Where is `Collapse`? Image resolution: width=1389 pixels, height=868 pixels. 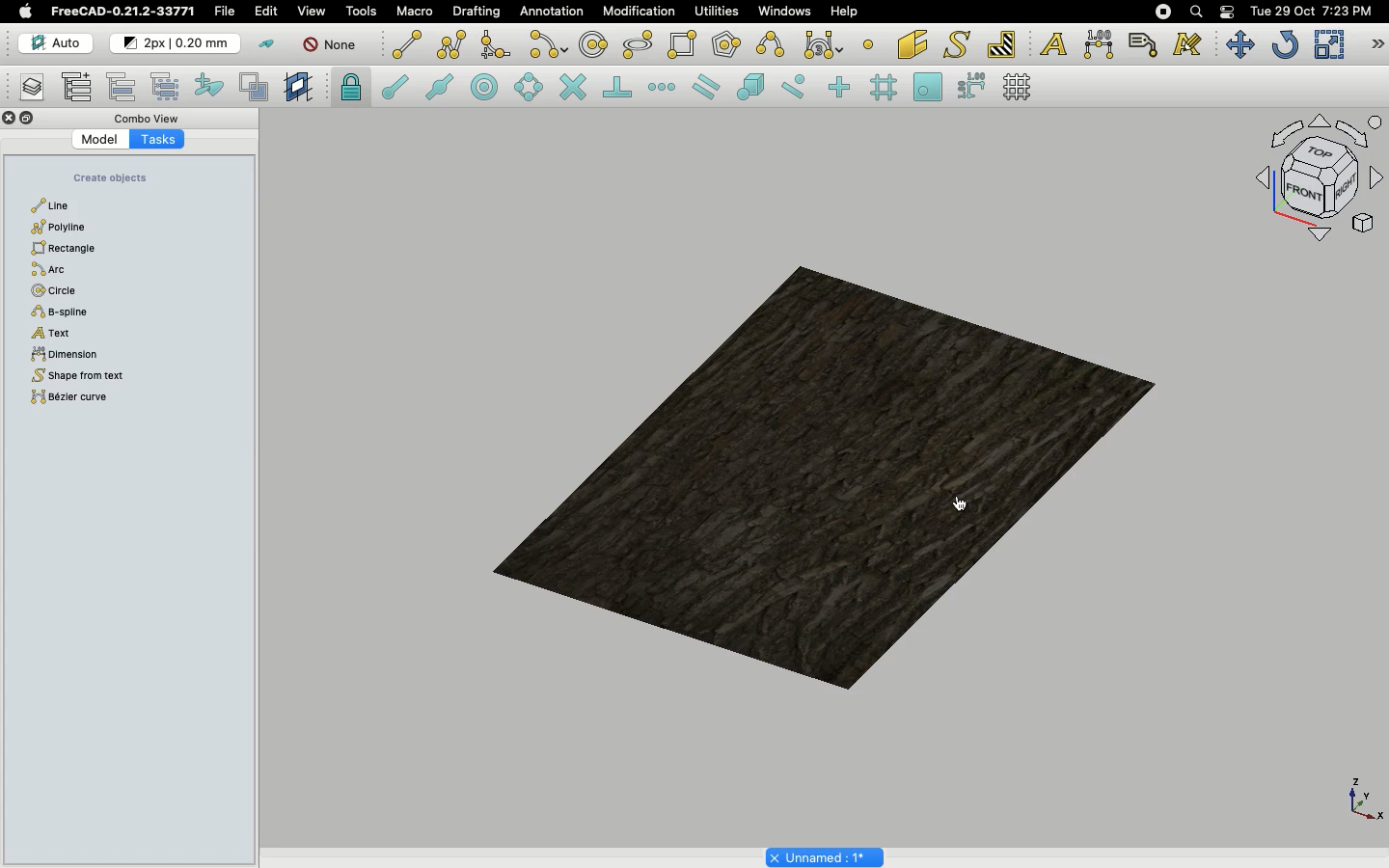 Collapse is located at coordinates (27, 119).